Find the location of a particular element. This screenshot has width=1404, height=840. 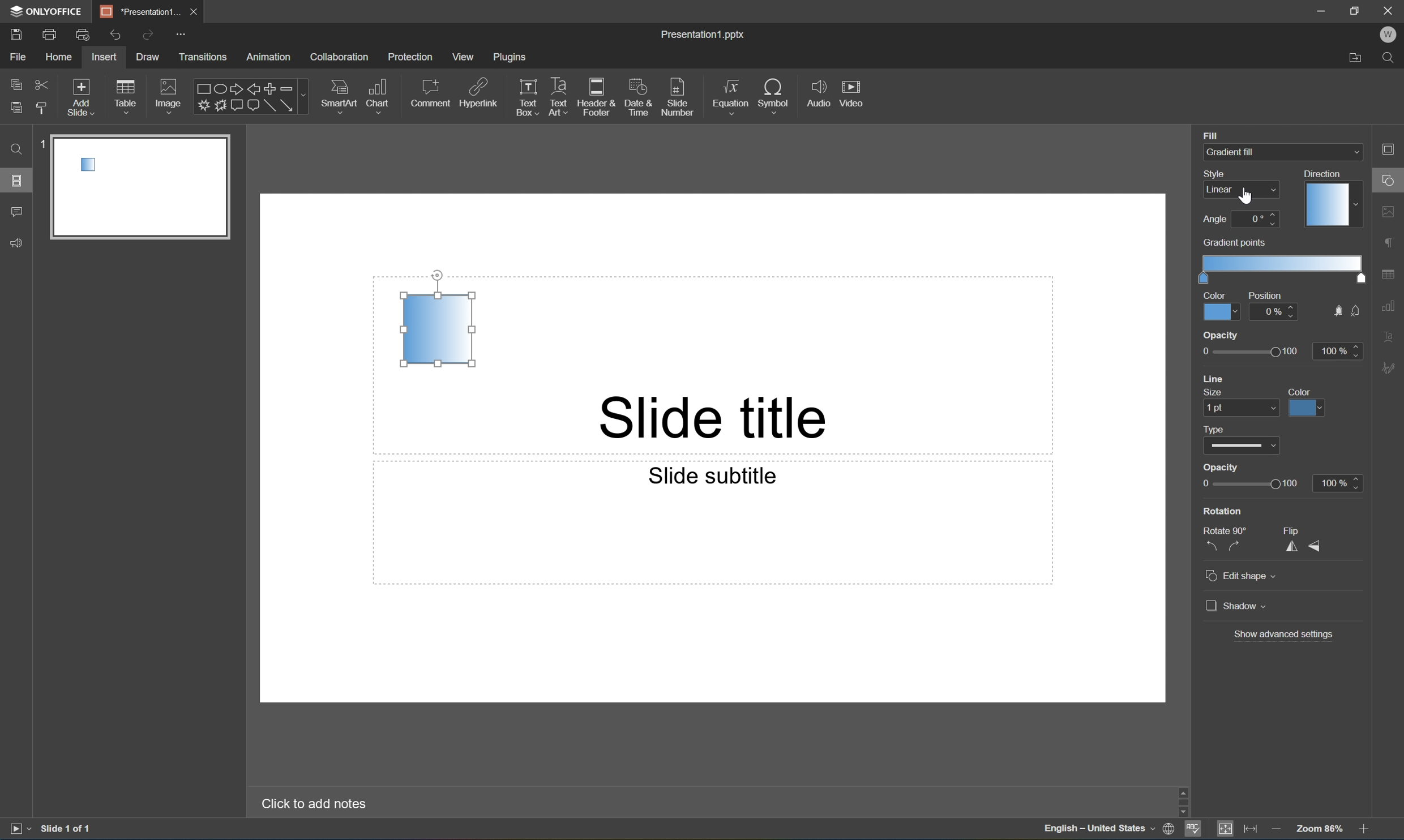

angle is located at coordinates (1240, 219).